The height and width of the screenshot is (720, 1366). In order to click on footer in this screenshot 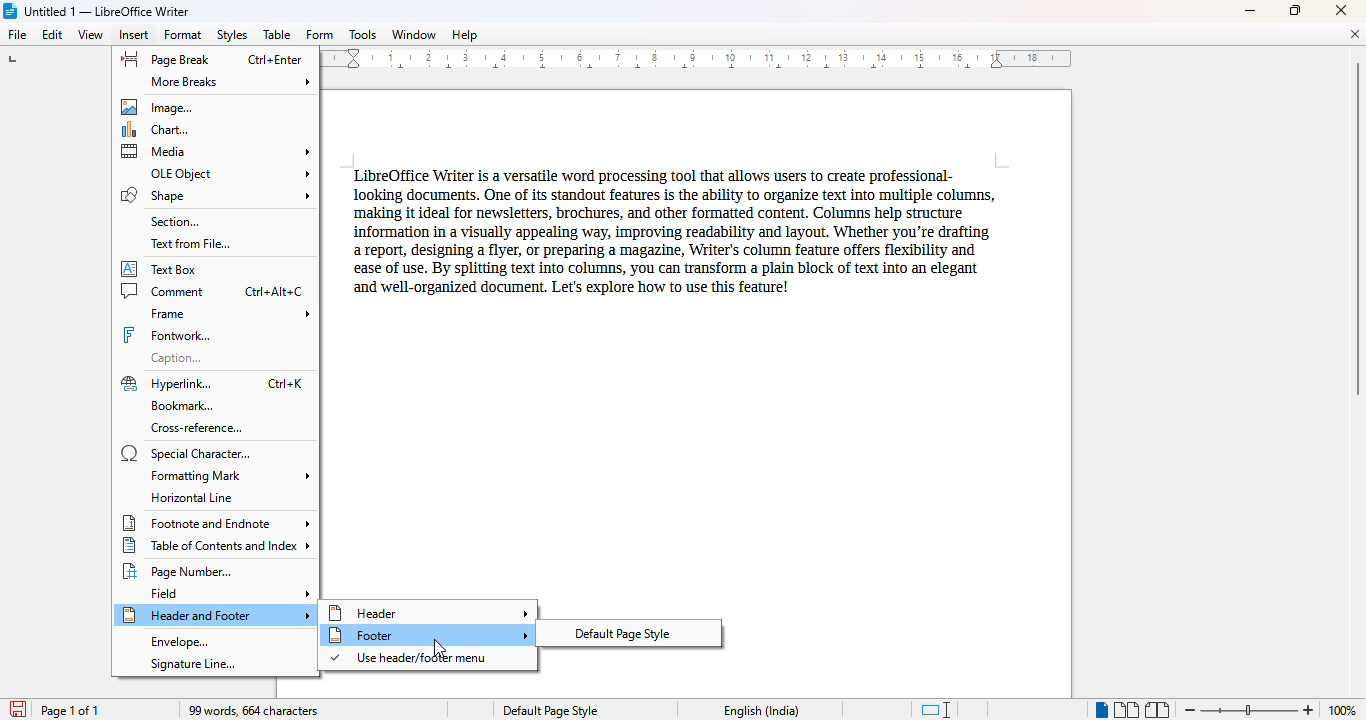, I will do `click(427, 635)`.